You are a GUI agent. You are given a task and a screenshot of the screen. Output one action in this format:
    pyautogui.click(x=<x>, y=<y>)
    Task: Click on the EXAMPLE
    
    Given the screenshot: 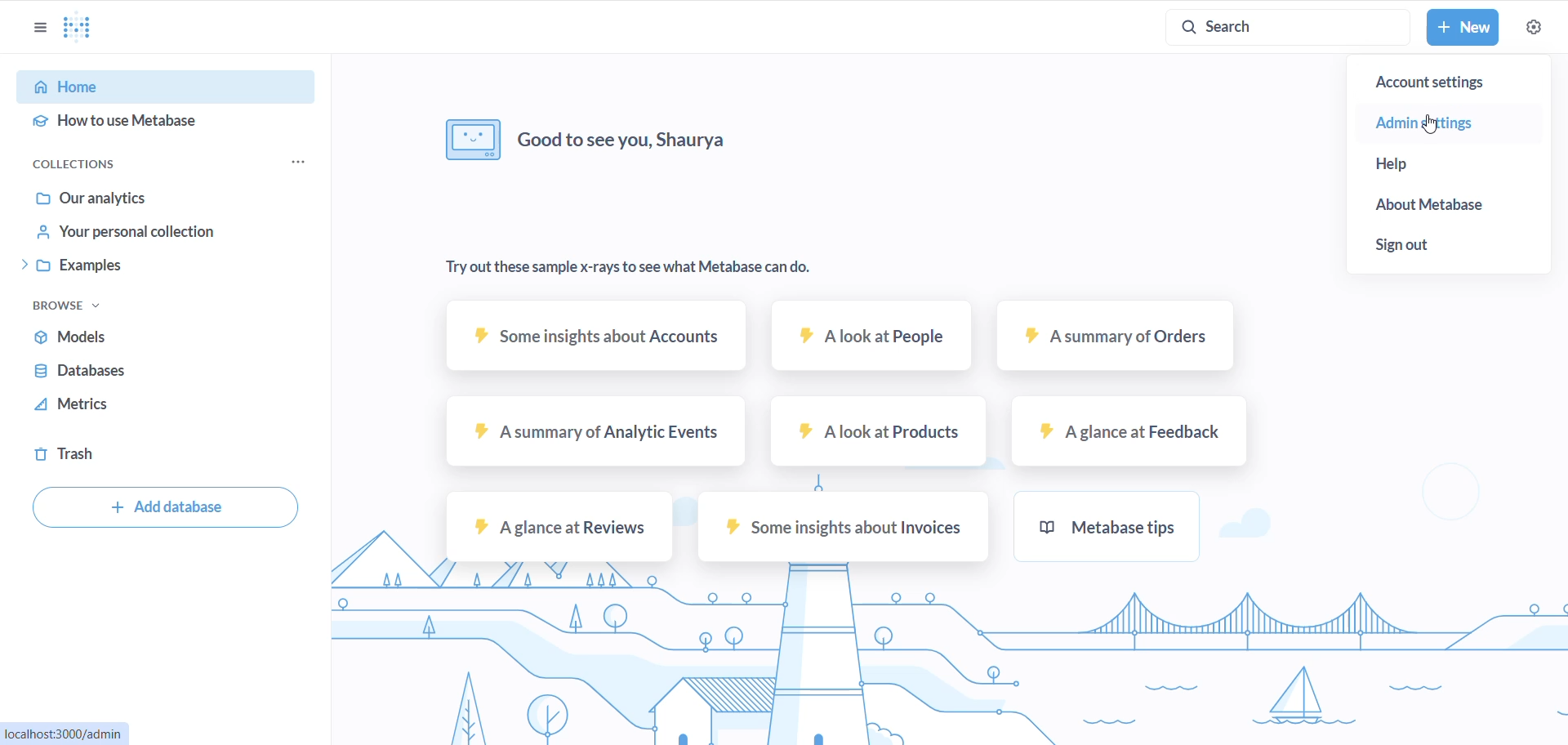 What is the action you would take?
    pyautogui.click(x=180, y=267)
    